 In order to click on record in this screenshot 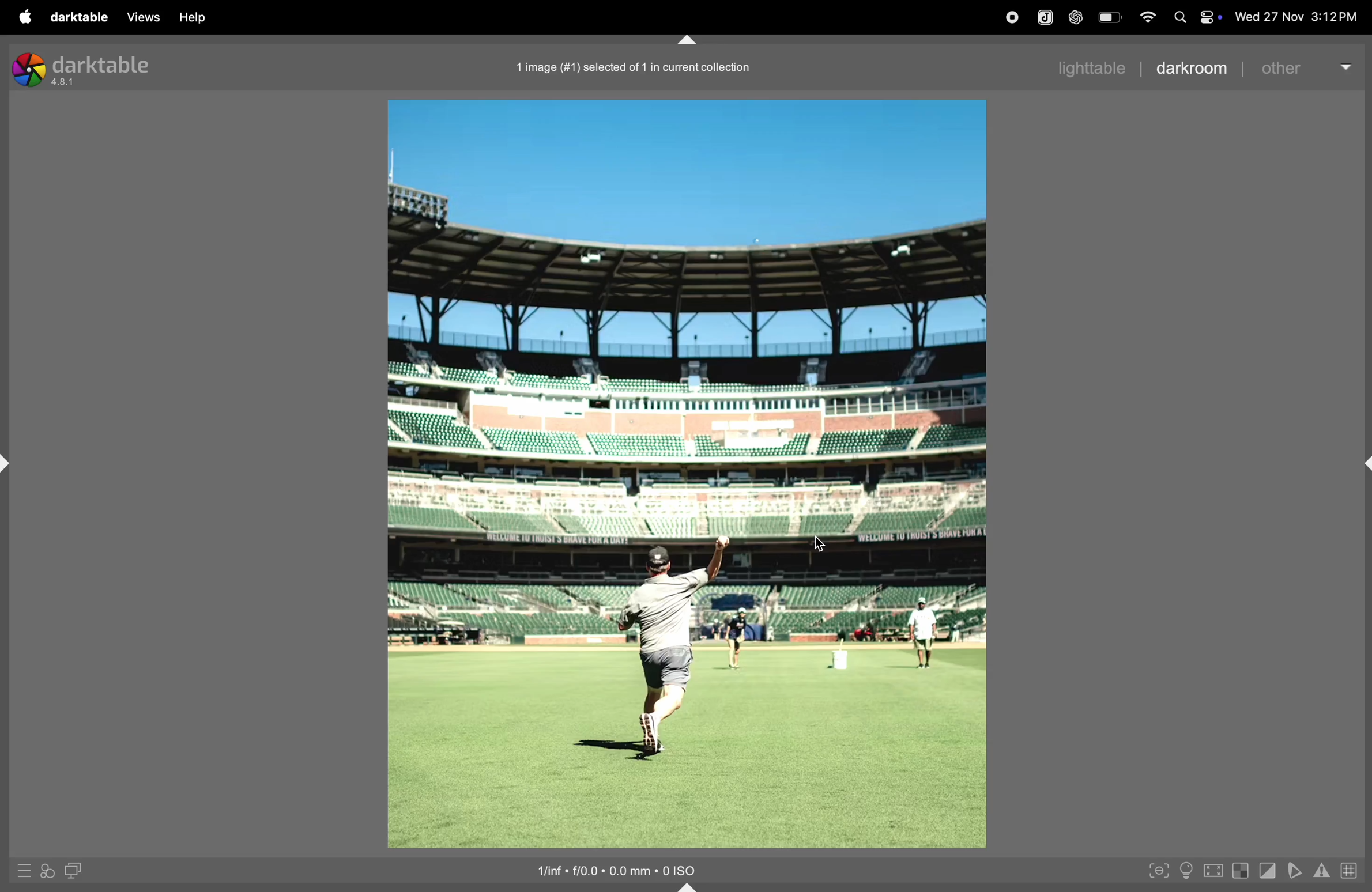, I will do `click(1013, 18)`.